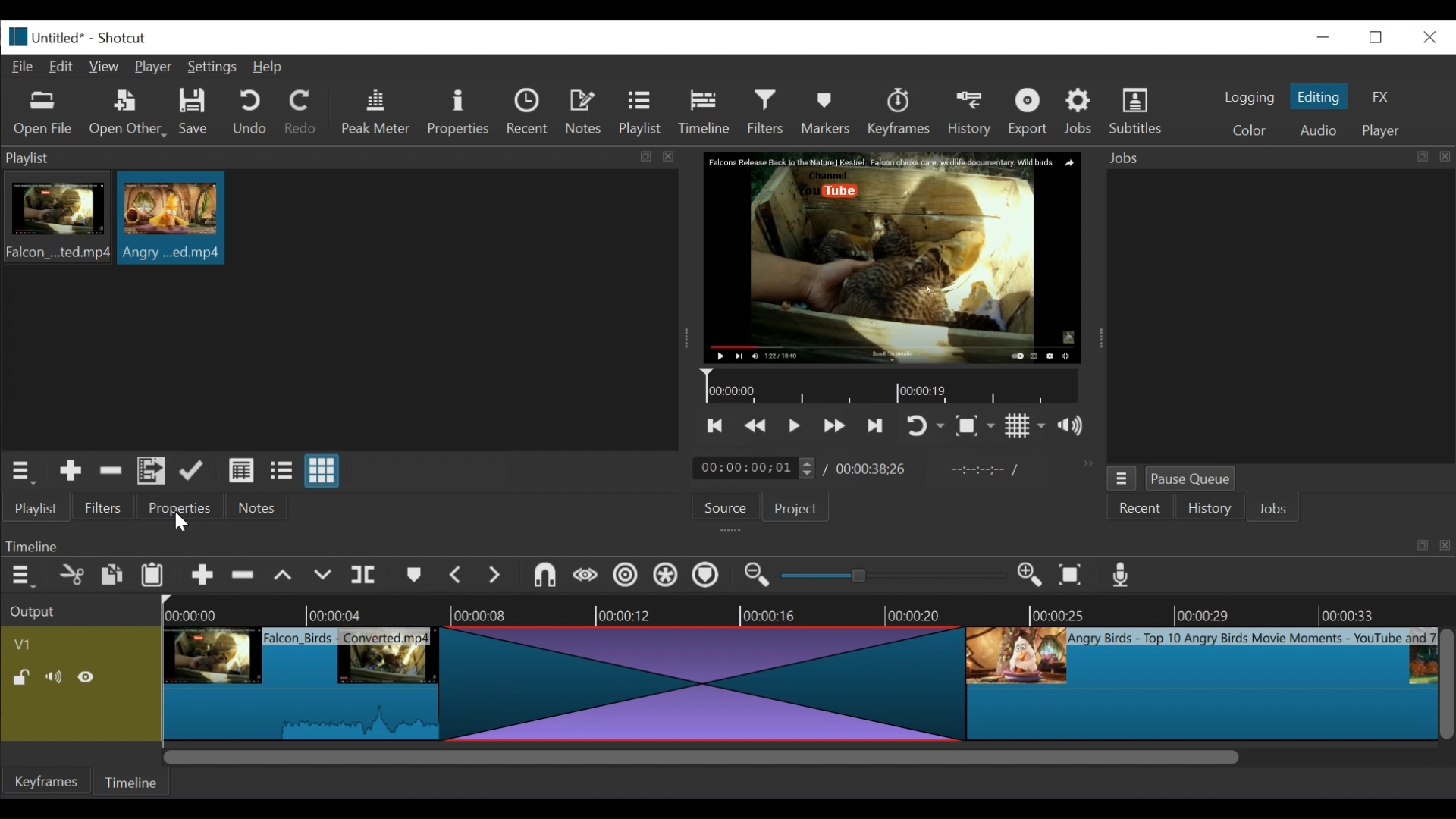 This screenshot has width=1456, height=819. Describe the element at coordinates (756, 426) in the screenshot. I see `play quickly backward` at that location.